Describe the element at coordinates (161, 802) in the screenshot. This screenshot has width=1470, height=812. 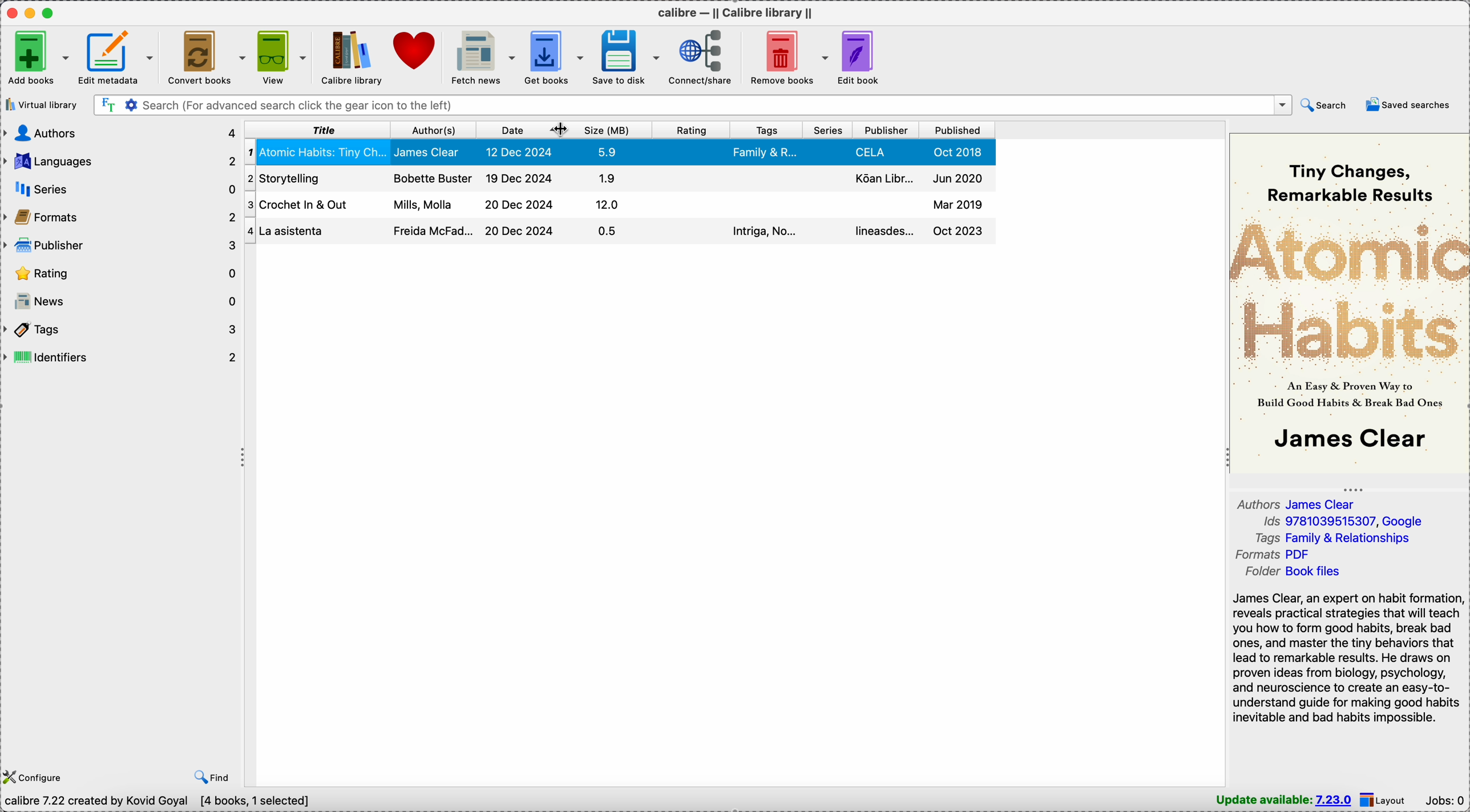
I see `Calibre 7.22 created by Kovid Goyal [4 books, 1 selected]` at that location.